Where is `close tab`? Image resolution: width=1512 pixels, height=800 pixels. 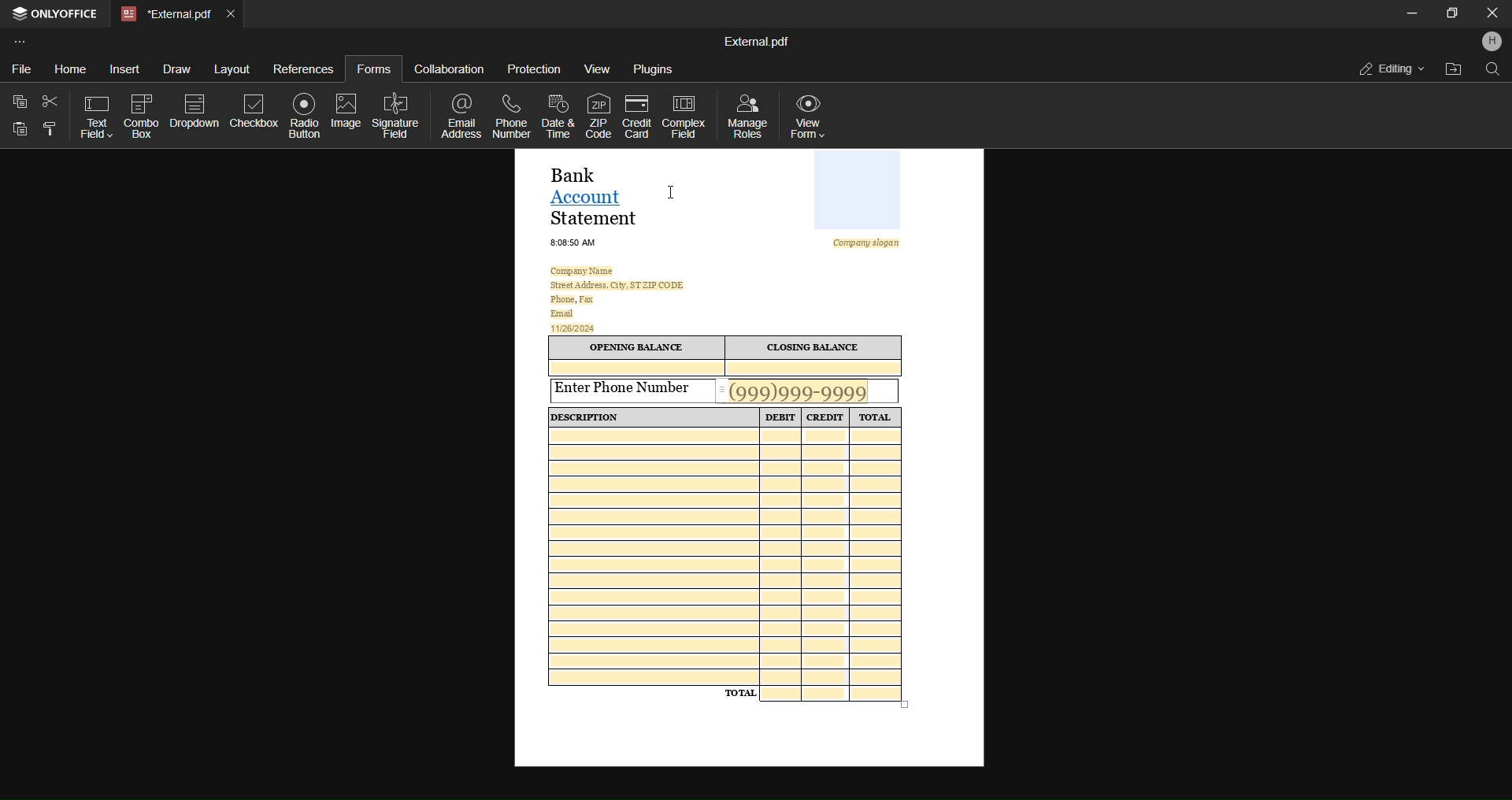
close tab is located at coordinates (229, 14).